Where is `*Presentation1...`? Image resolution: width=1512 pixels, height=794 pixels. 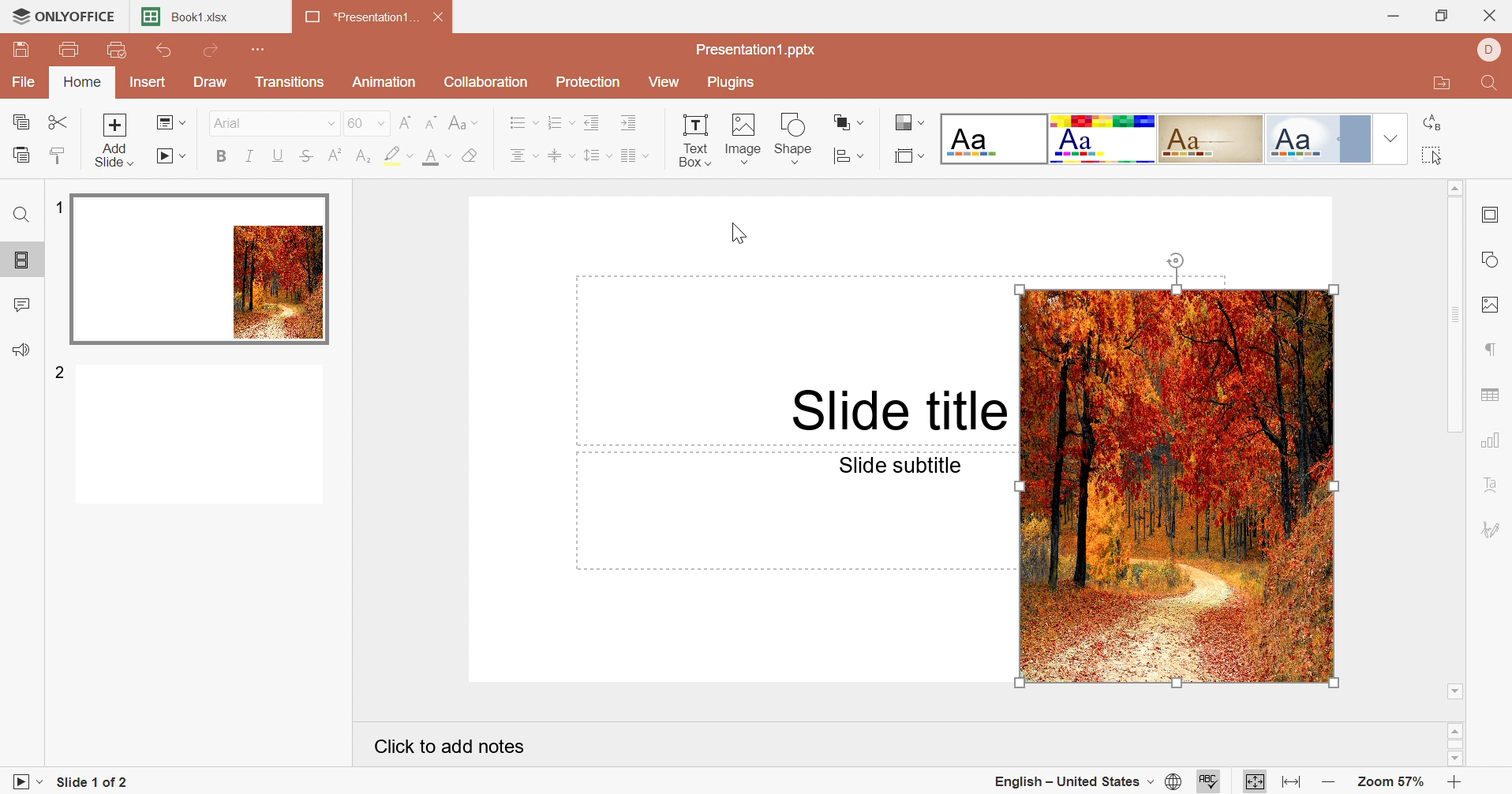
*Presentation1... is located at coordinates (362, 18).